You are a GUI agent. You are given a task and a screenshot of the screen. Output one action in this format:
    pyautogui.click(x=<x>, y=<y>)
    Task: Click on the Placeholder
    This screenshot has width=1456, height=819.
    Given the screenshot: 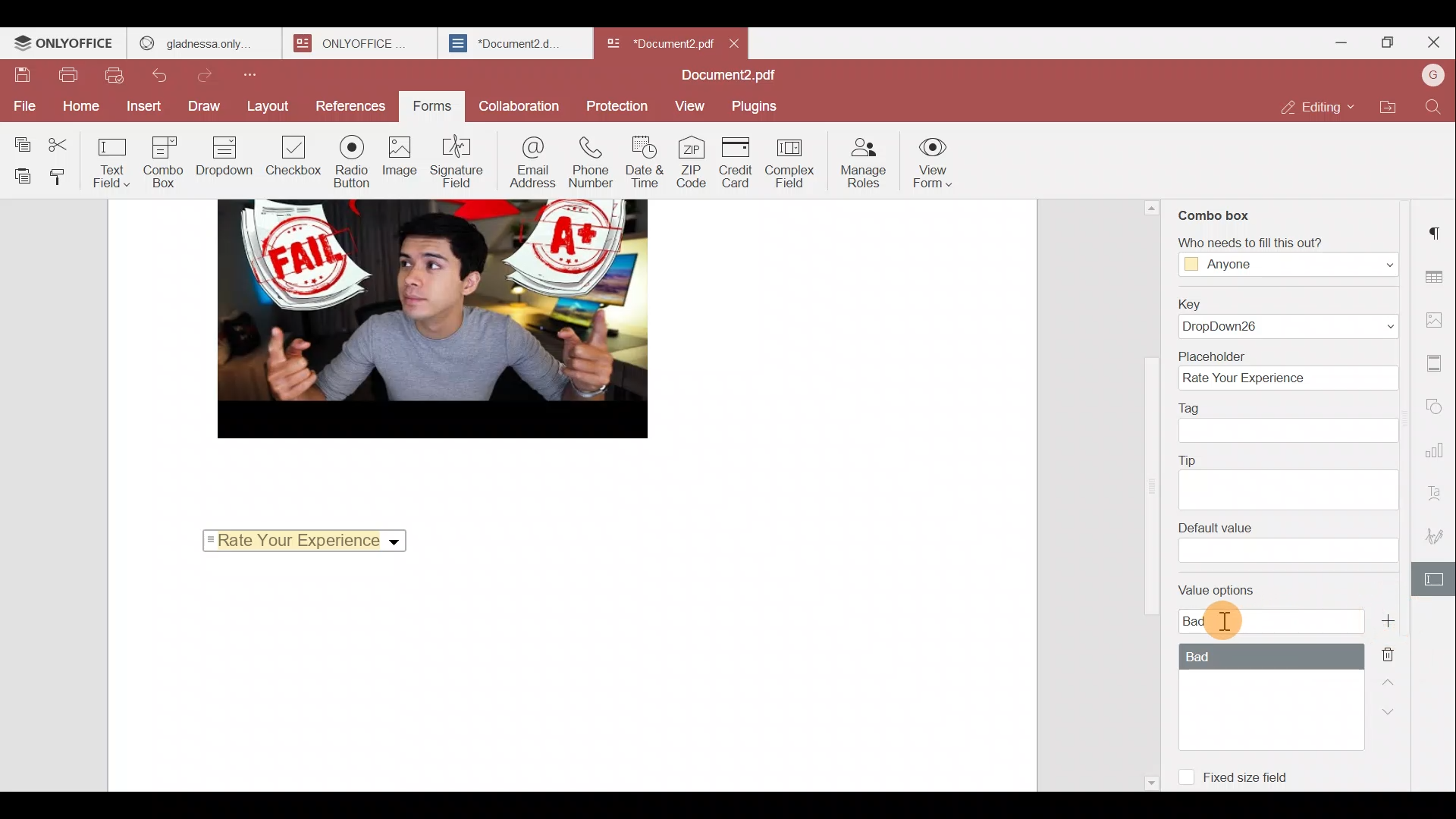 What is the action you would take?
    pyautogui.click(x=1286, y=369)
    